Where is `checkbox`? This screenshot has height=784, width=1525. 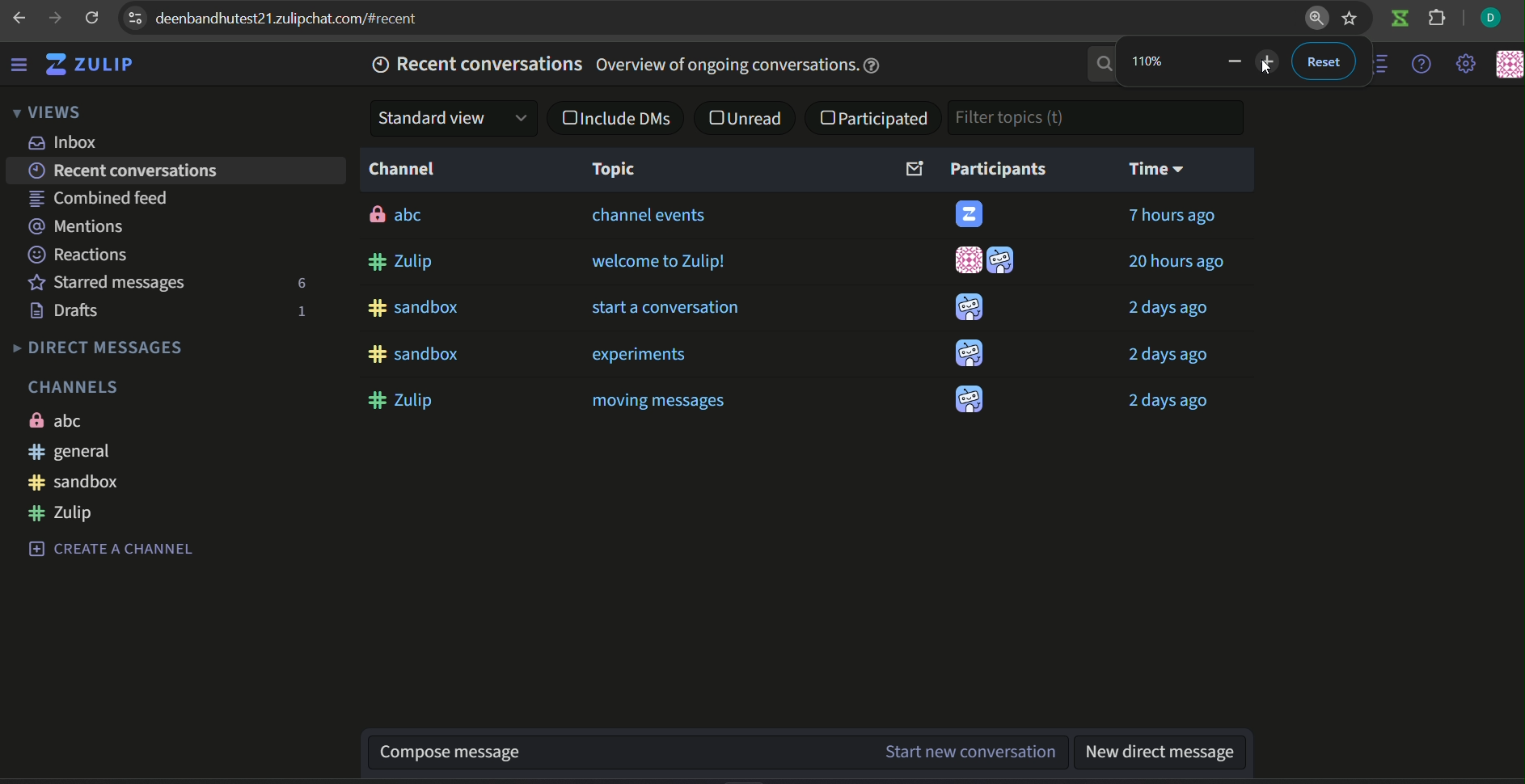 checkbox is located at coordinates (620, 120).